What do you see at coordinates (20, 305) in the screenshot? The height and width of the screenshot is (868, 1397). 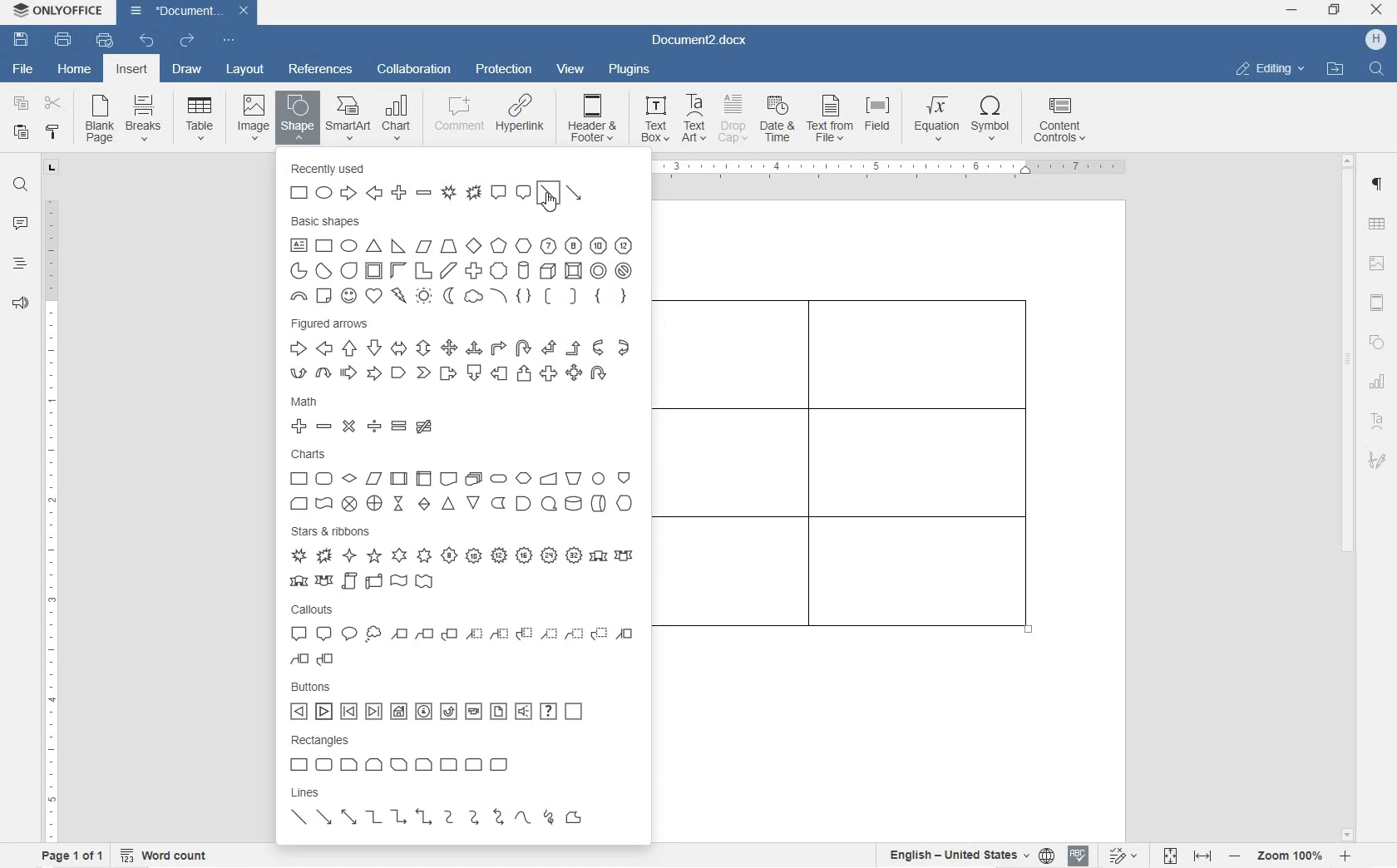 I see `feedback & support` at bounding box center [20, 305].